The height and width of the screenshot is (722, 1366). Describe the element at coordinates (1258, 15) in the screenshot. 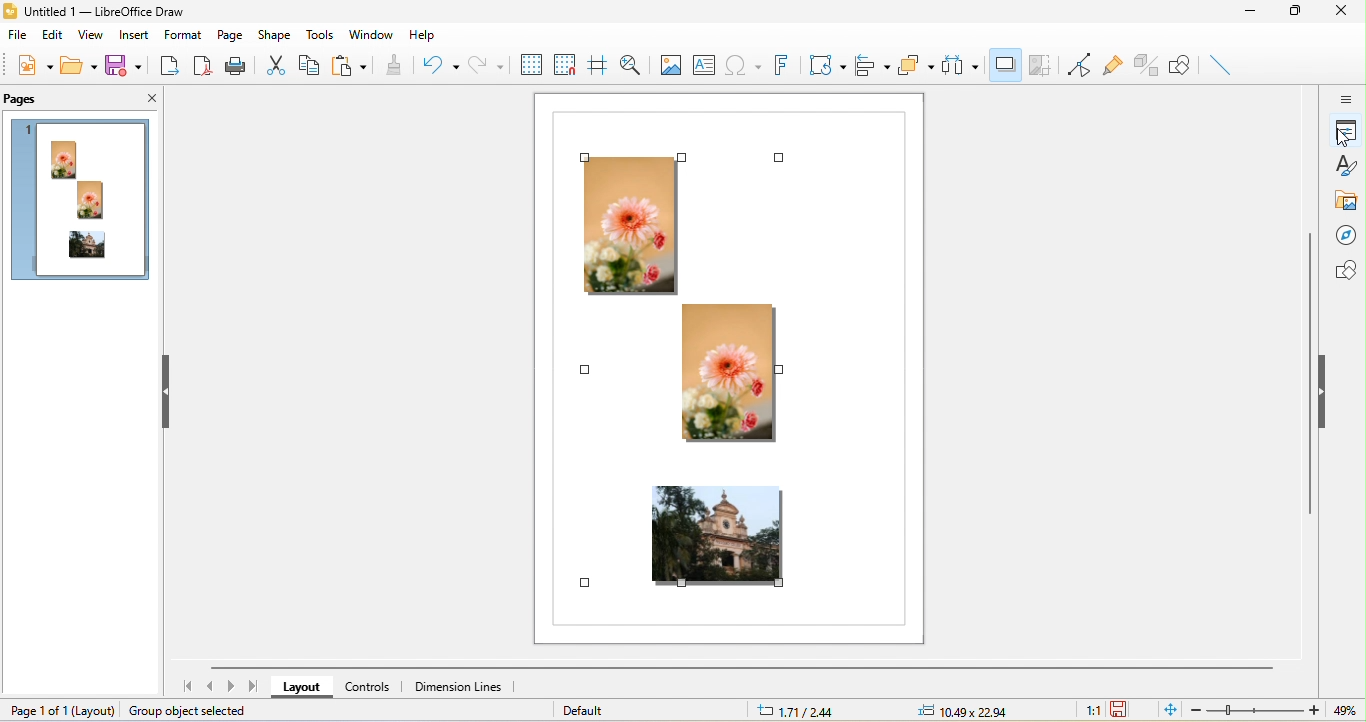

I see `minimize` at that location.